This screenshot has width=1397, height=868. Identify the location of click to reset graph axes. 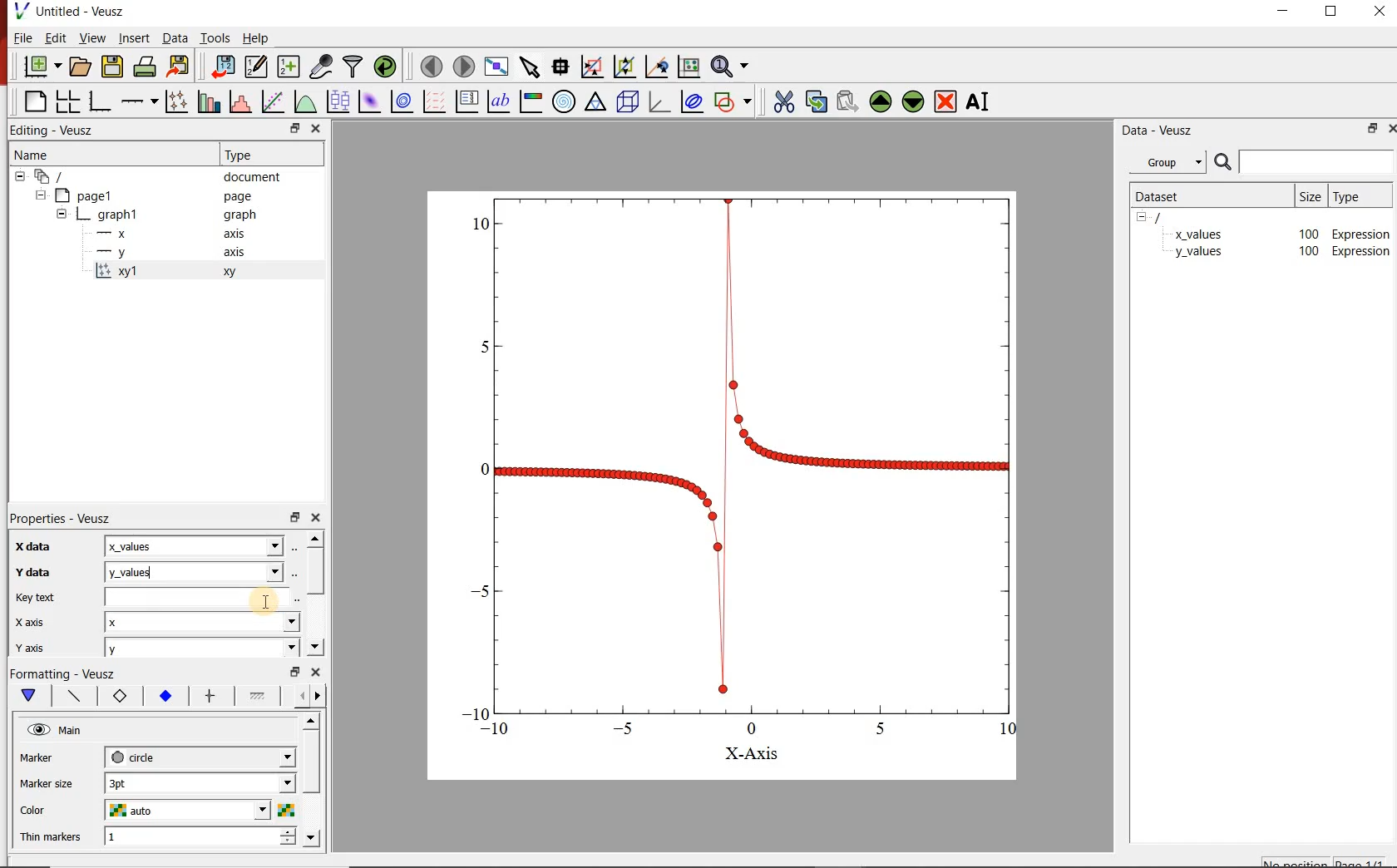
(688, 67).